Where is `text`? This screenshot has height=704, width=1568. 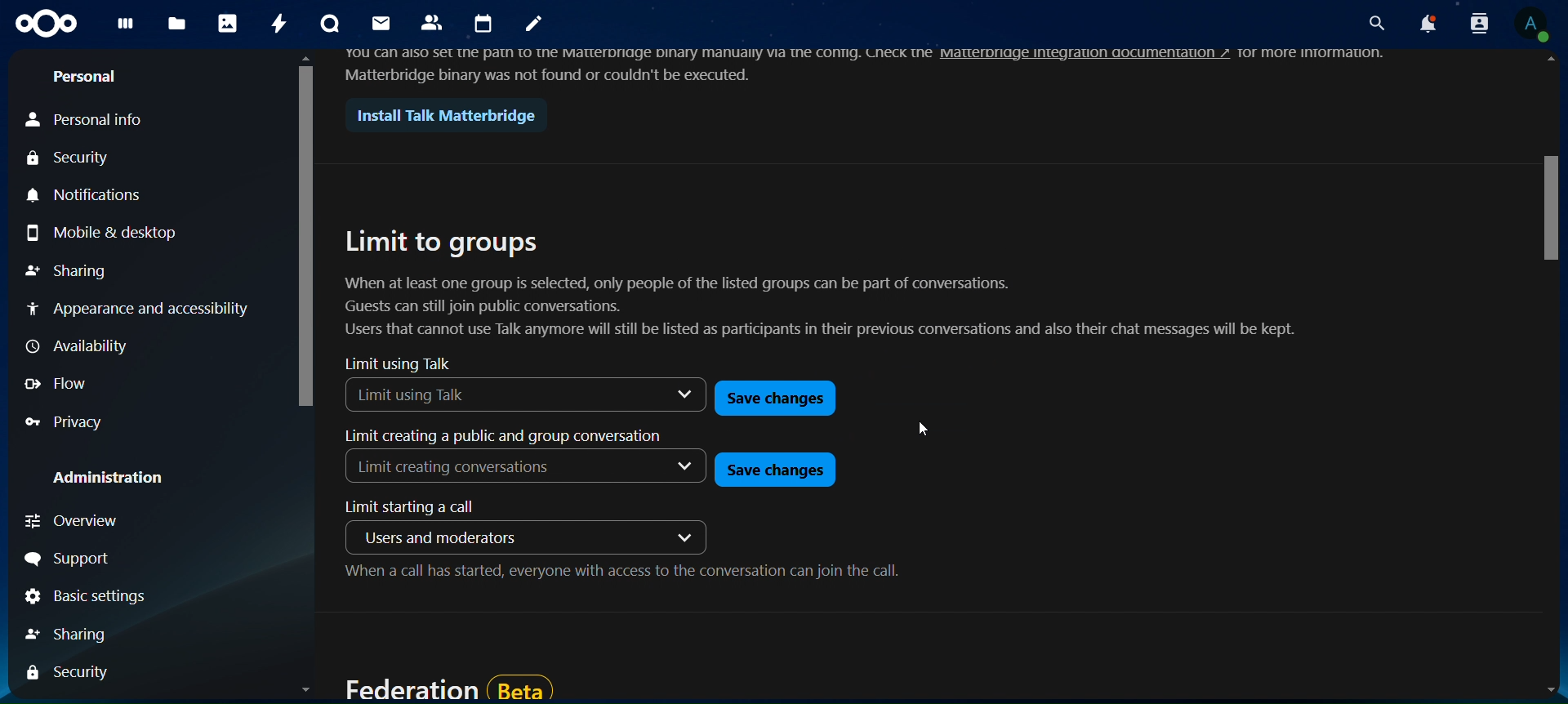 text is located at coordinates (639, 62).